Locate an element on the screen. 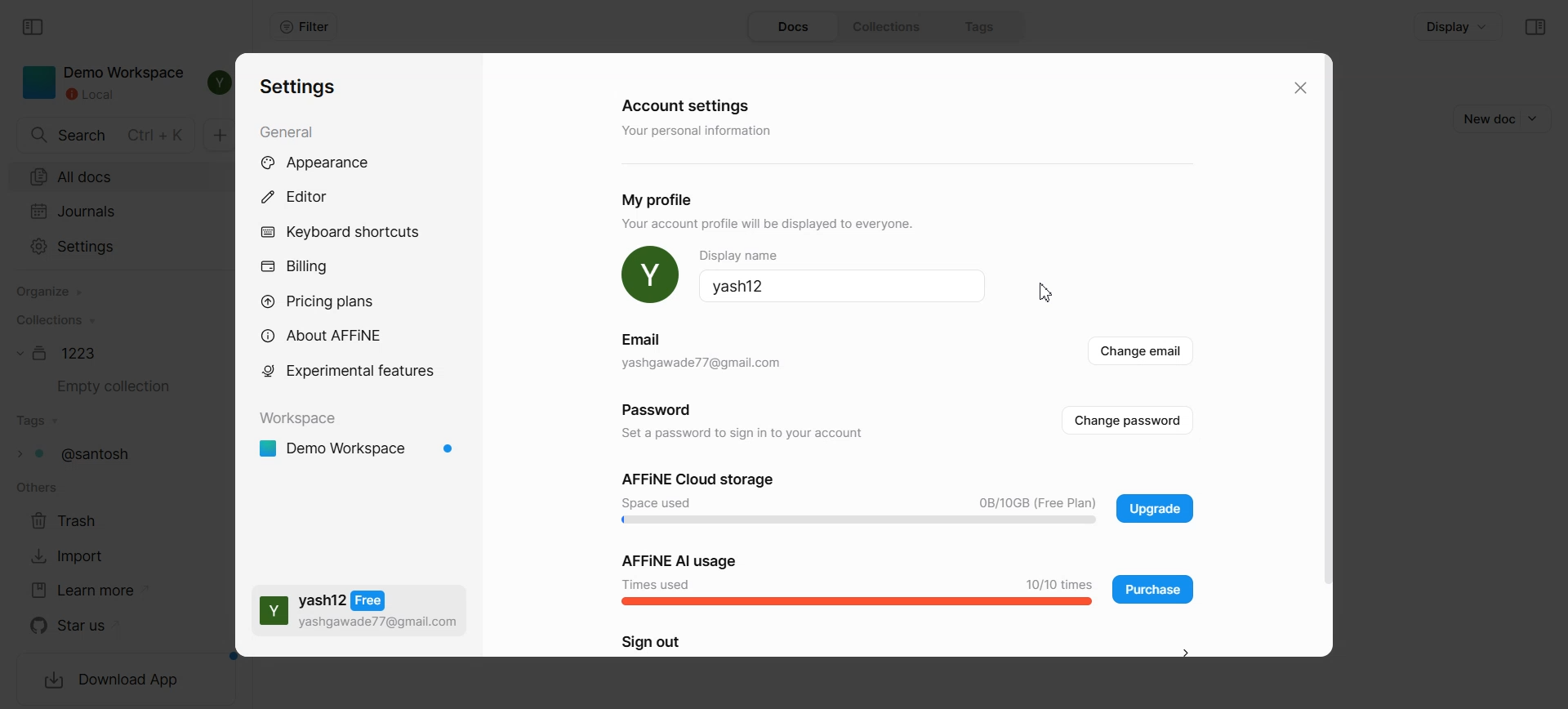 This screenshot has width=1568, height=709. Tags is located at coordinates (38, 421).